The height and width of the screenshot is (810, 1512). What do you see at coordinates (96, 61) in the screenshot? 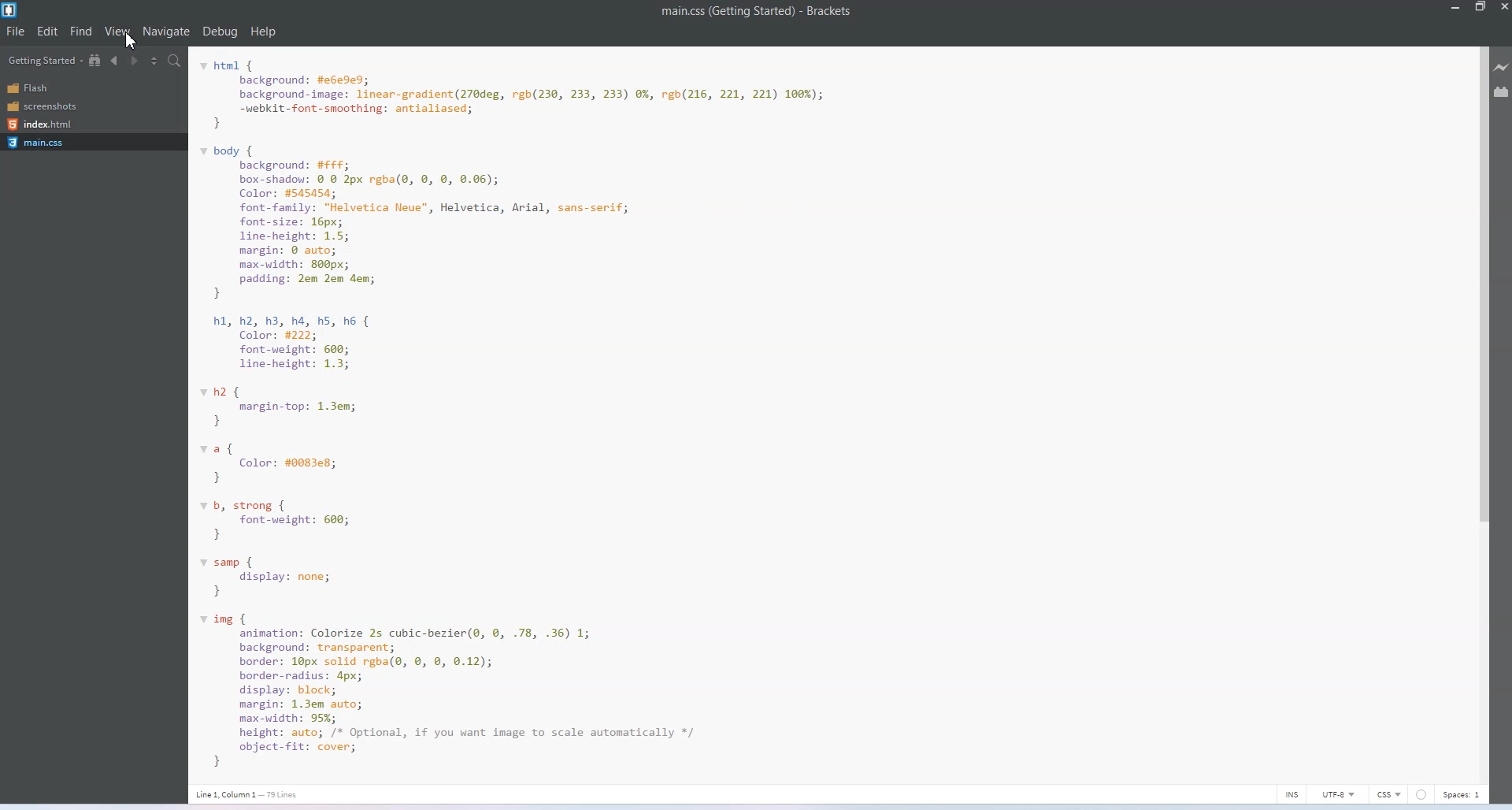
I see `Show in the file Tree` at bounding box center [96, 61].